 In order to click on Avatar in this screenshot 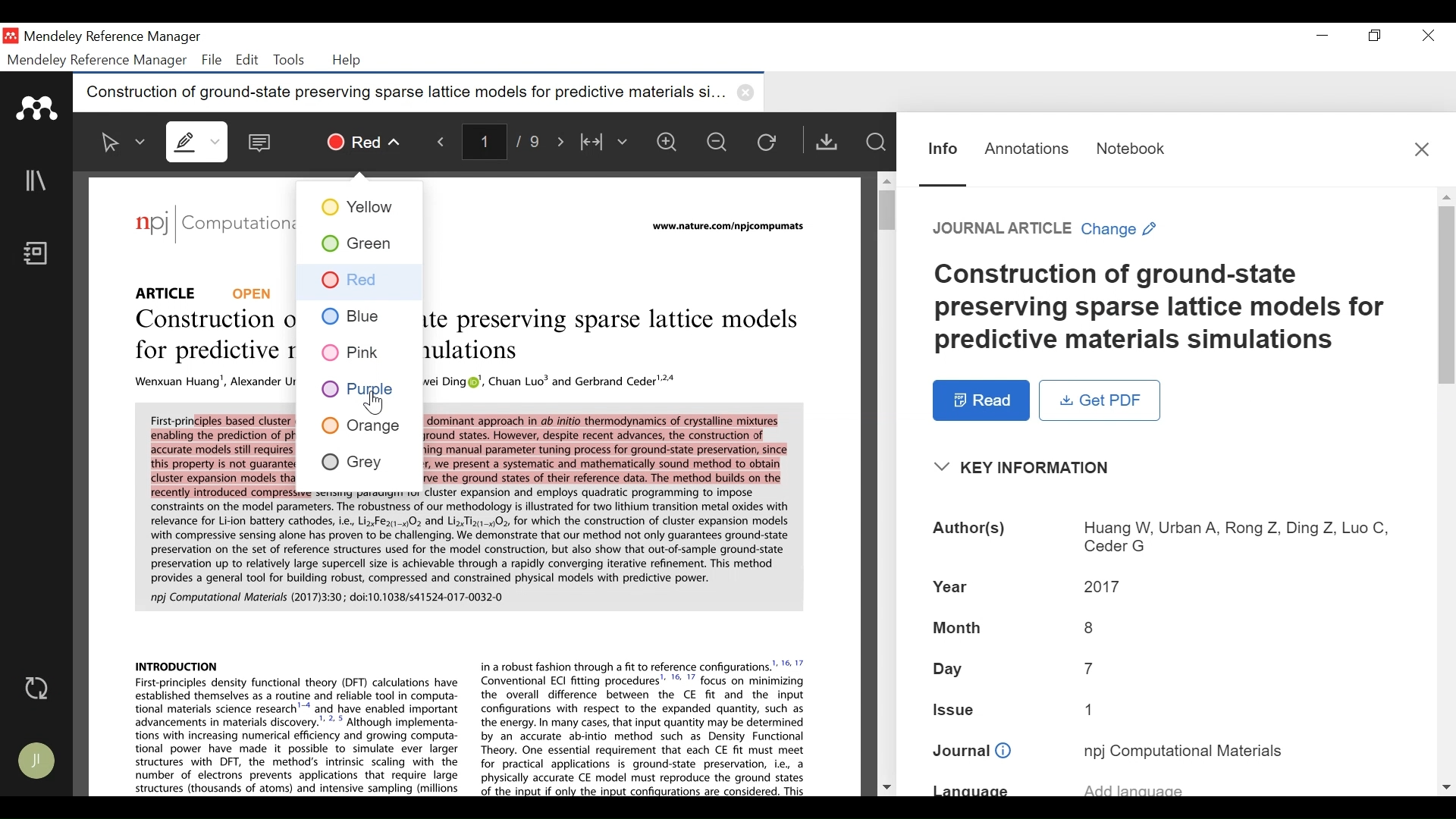, I will do `click(35, 761)`.